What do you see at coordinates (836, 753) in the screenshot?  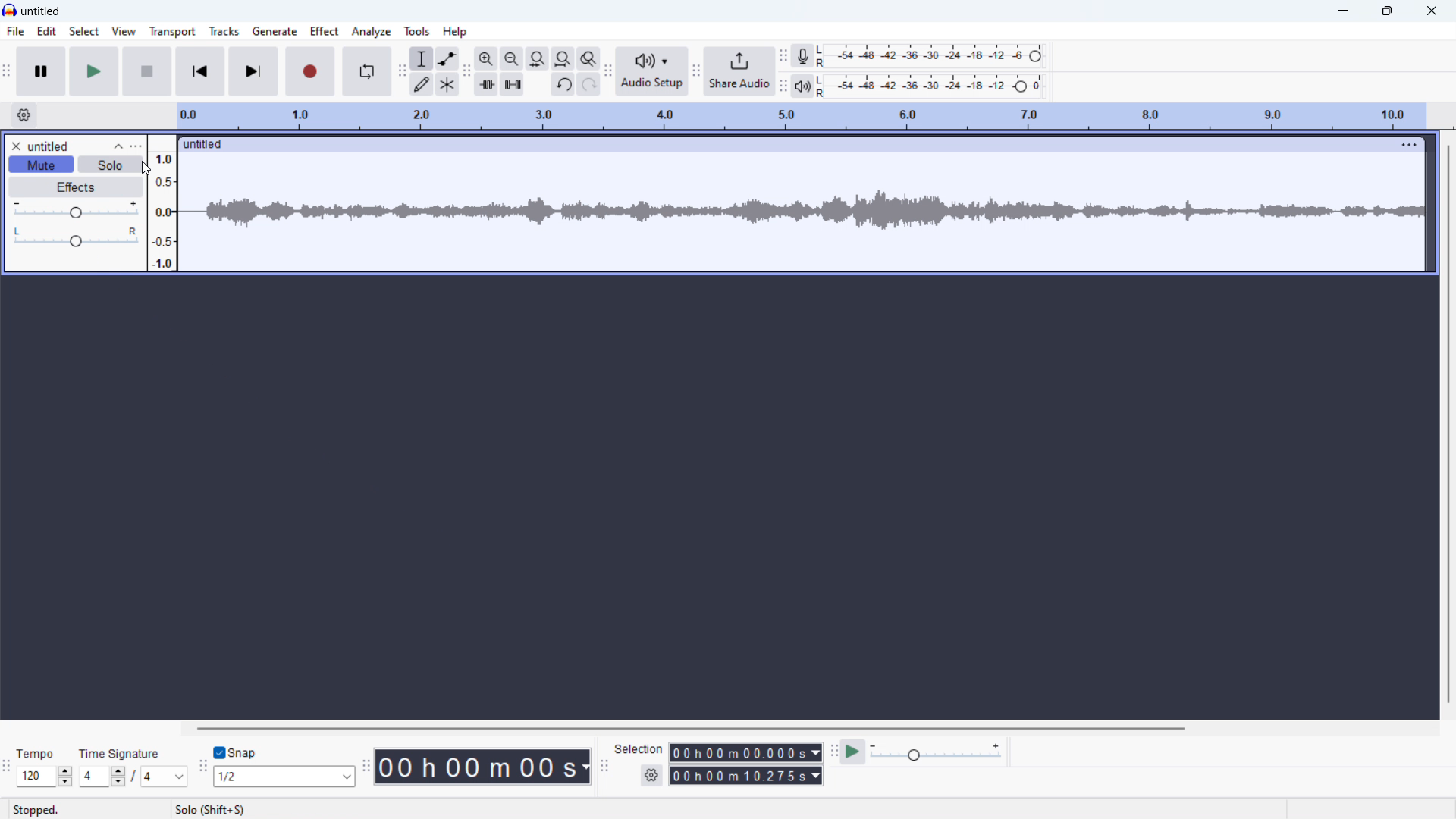 I see `play at speed toolbar` at bounding box center [836, 753].